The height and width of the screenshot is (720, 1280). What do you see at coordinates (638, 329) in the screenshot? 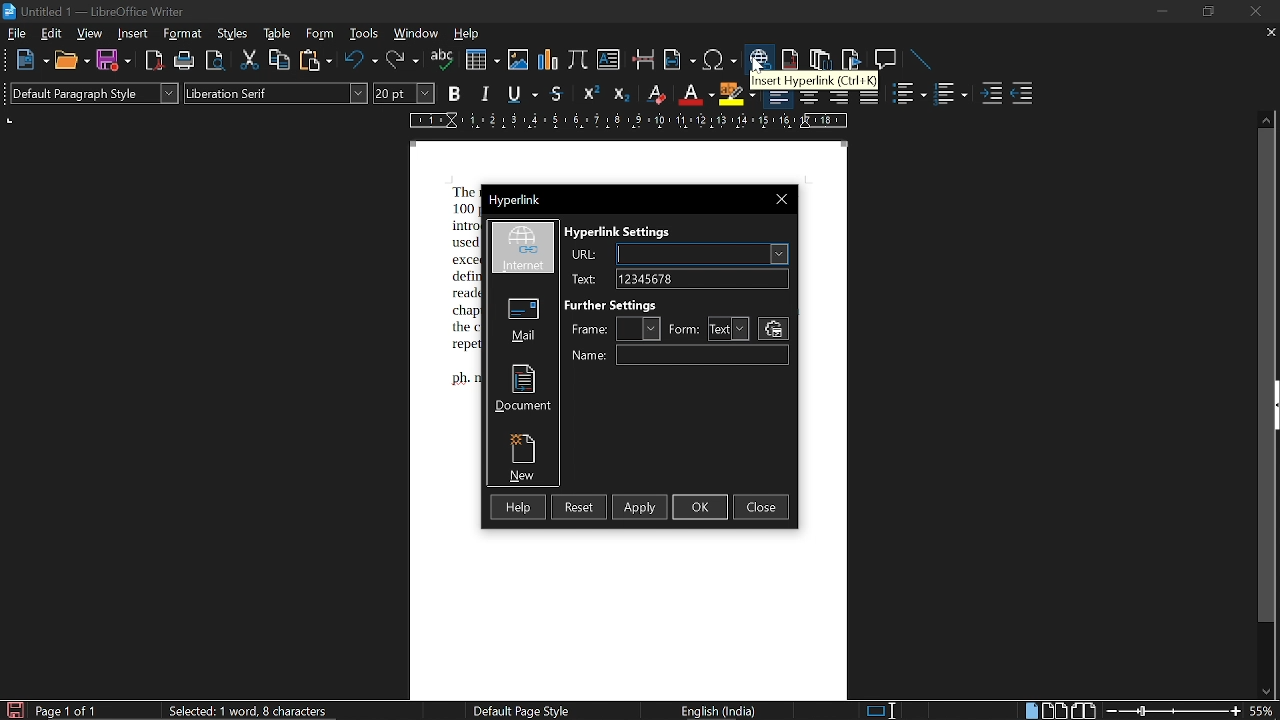
I see `frame` at bounding box center [638, 329].